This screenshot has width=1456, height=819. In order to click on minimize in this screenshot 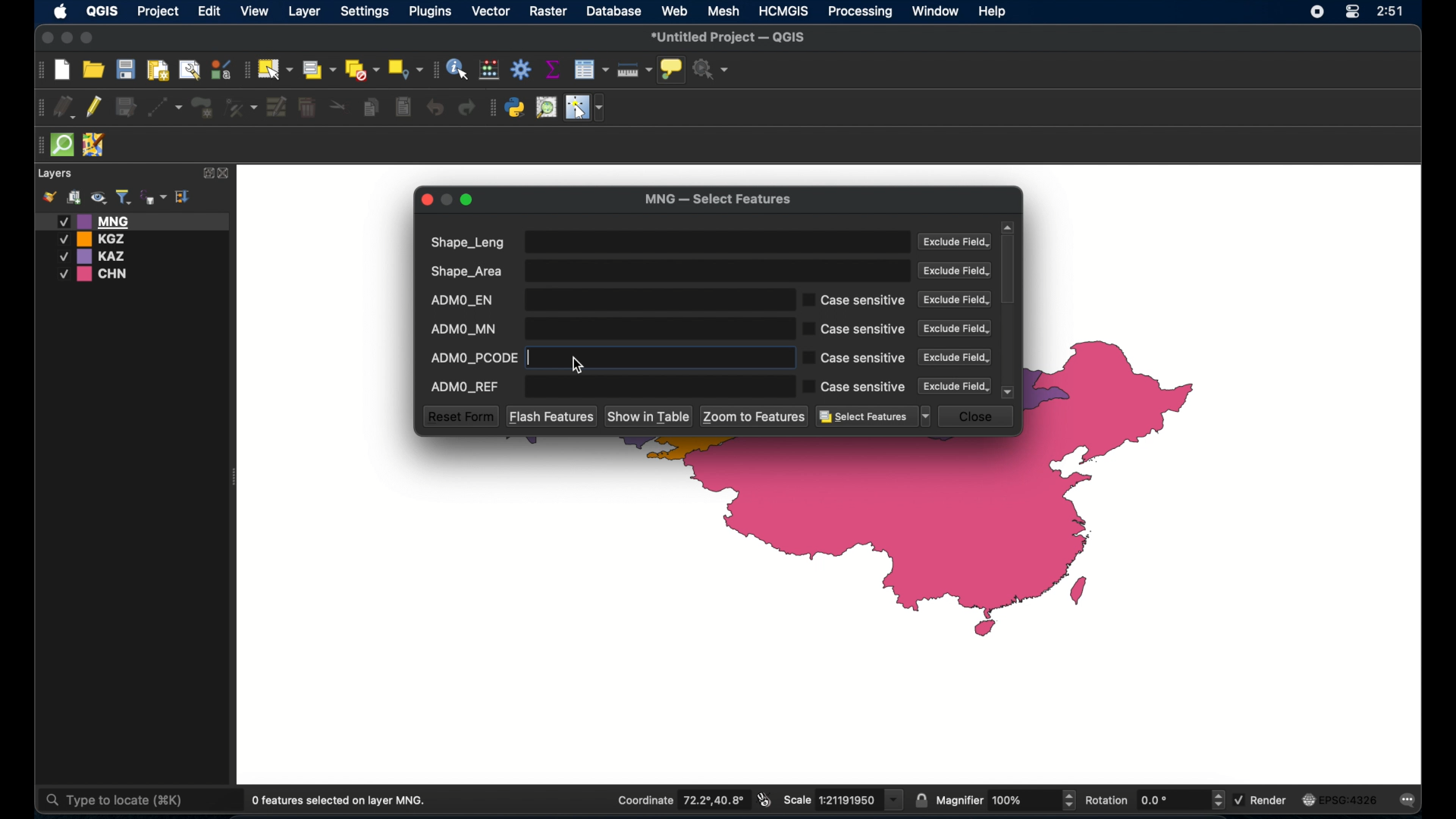, I will do `click(68, 39)`.